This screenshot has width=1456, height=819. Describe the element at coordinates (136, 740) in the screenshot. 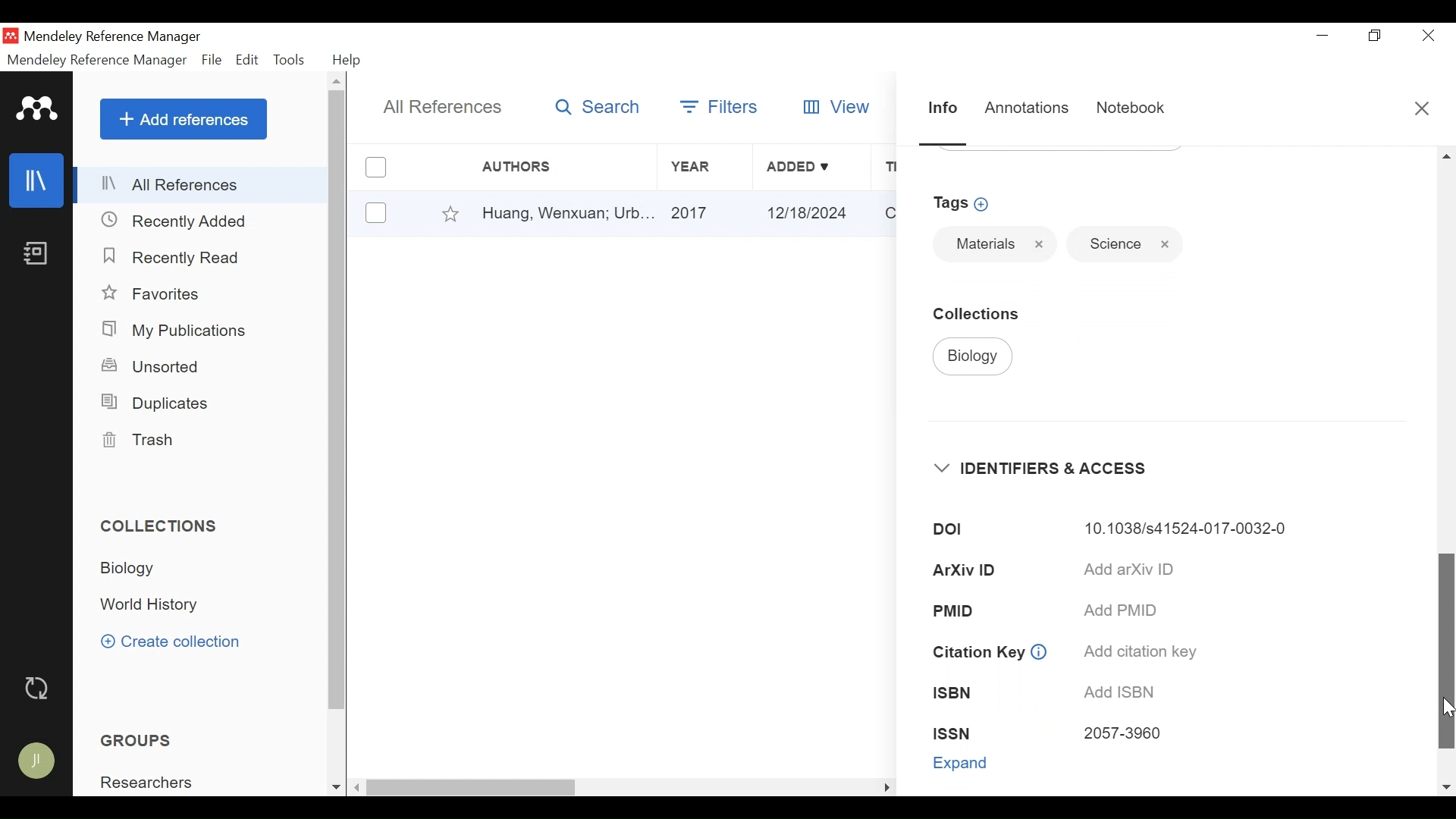

I see `Groups` at that location.